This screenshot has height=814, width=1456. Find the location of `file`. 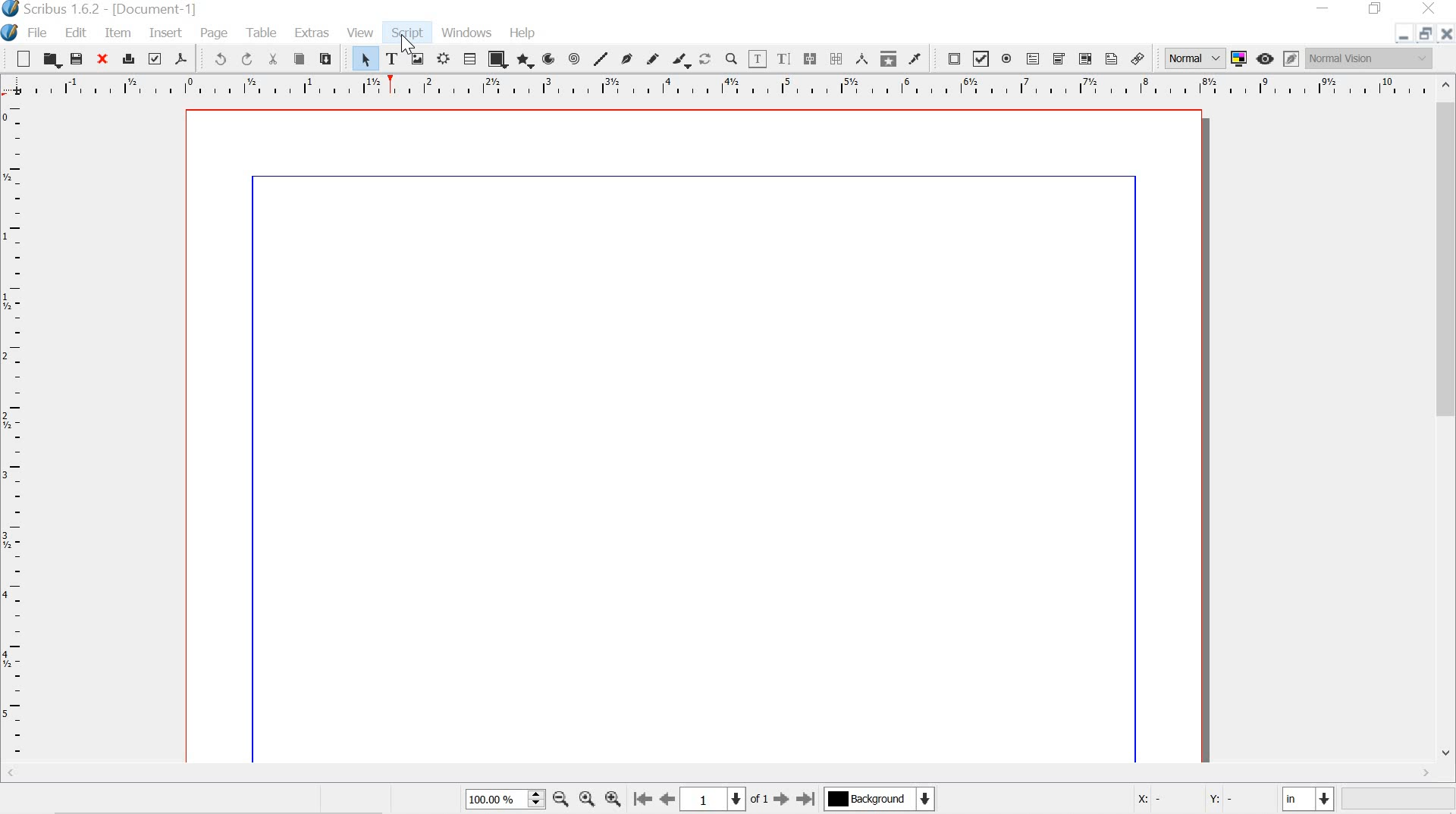

file is located at coordinates (39, 34).